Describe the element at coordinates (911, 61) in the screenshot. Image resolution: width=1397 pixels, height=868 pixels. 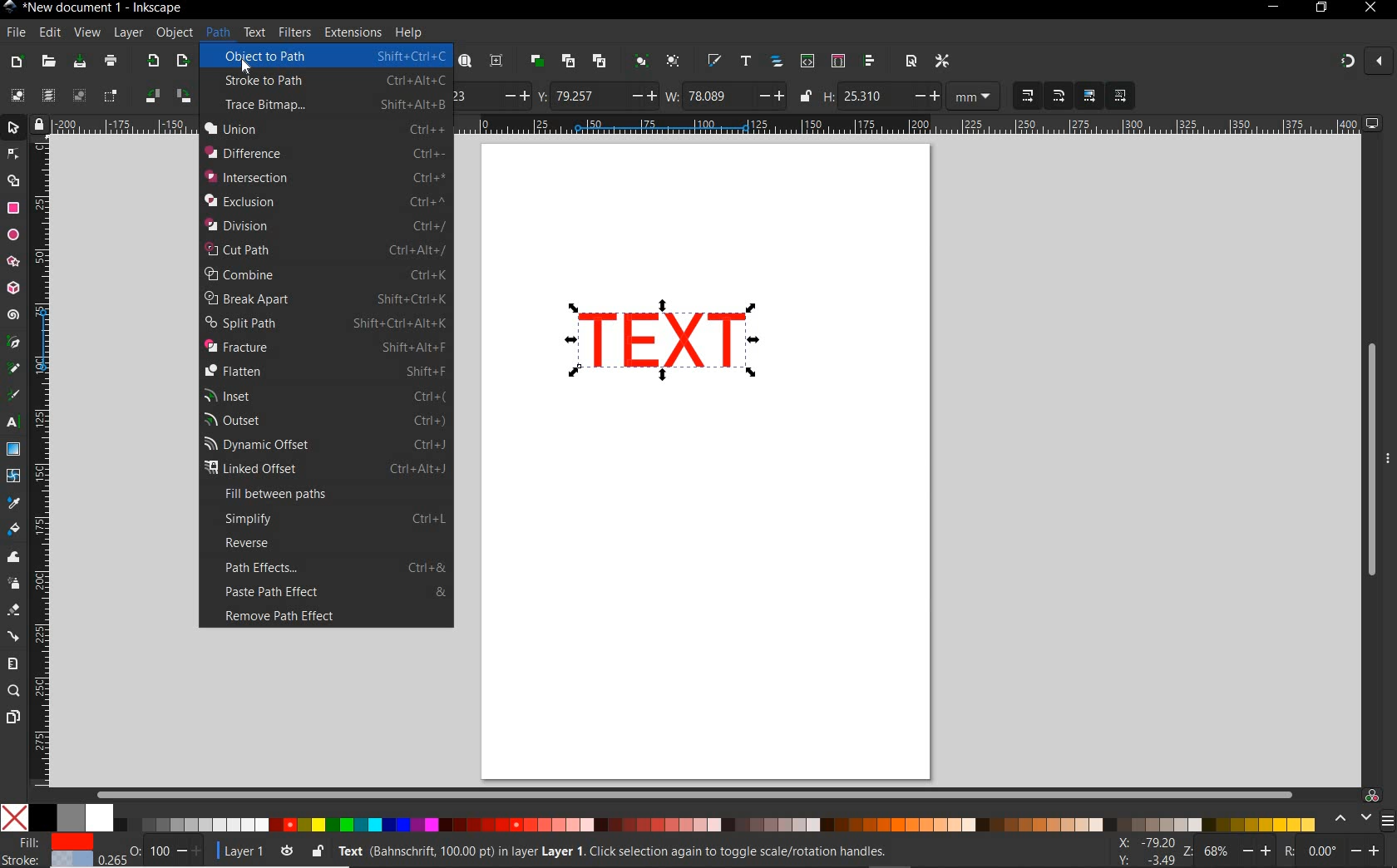
I see `OPEN DOCUMENT PROPERTIES` at that location.